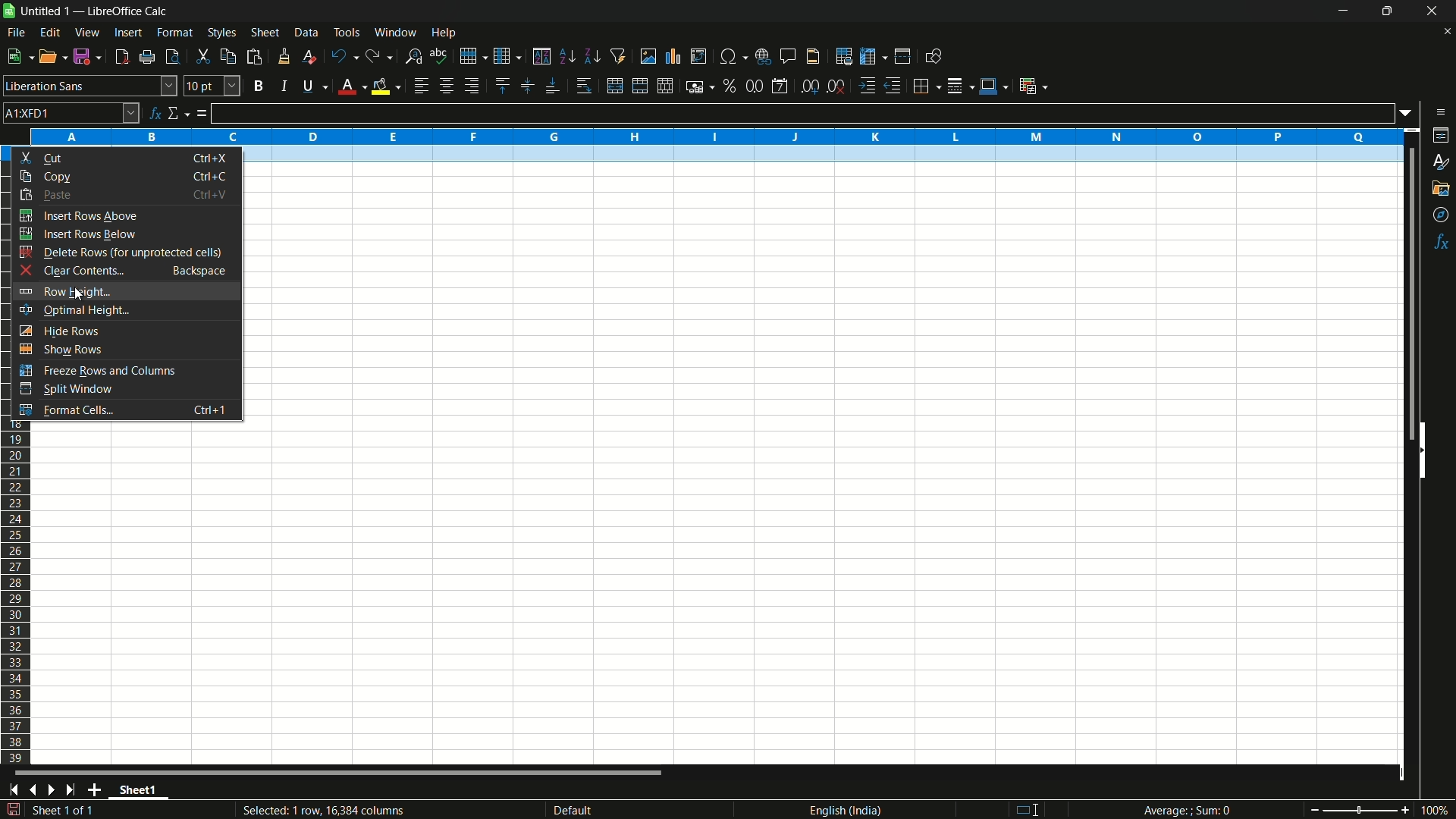  What do you see at coordinates (1437, 810) in the screenshot?
I see `current zoom 100%` at bounding box center [1437, 810].